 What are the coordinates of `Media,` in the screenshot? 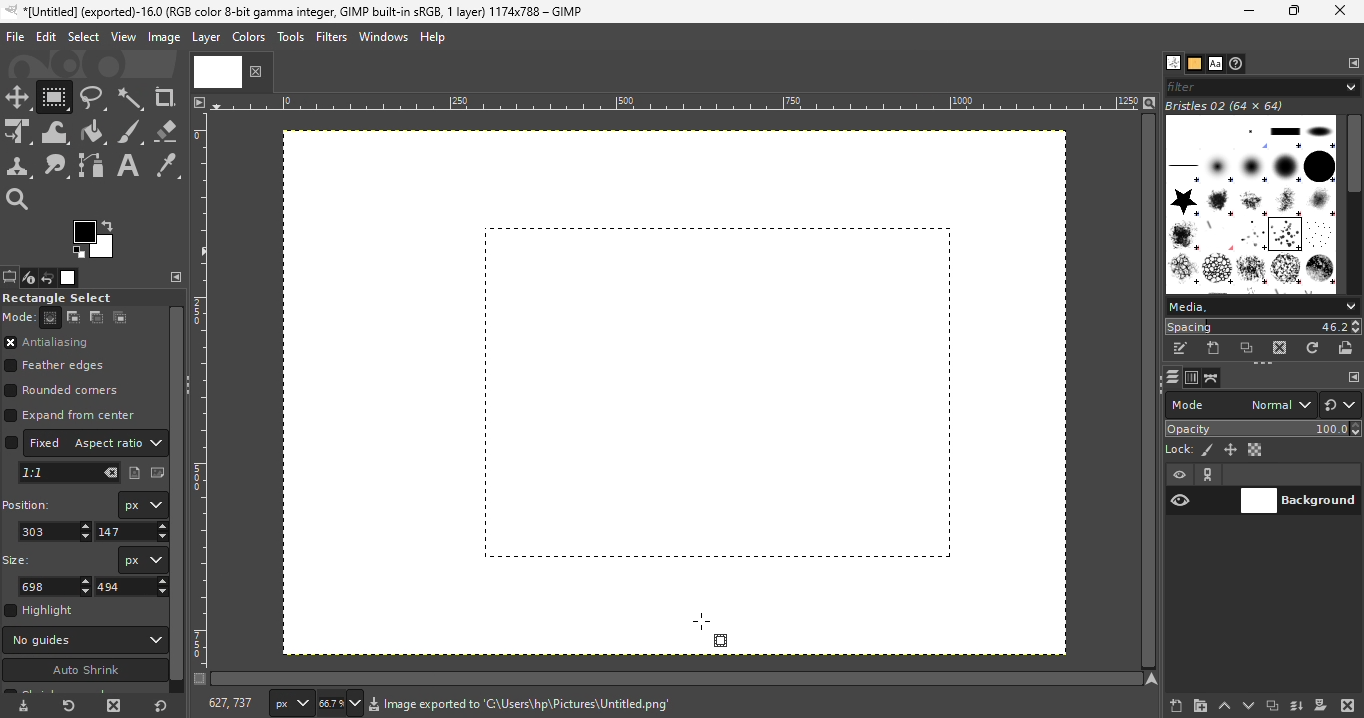 It's located at (1262, 306).